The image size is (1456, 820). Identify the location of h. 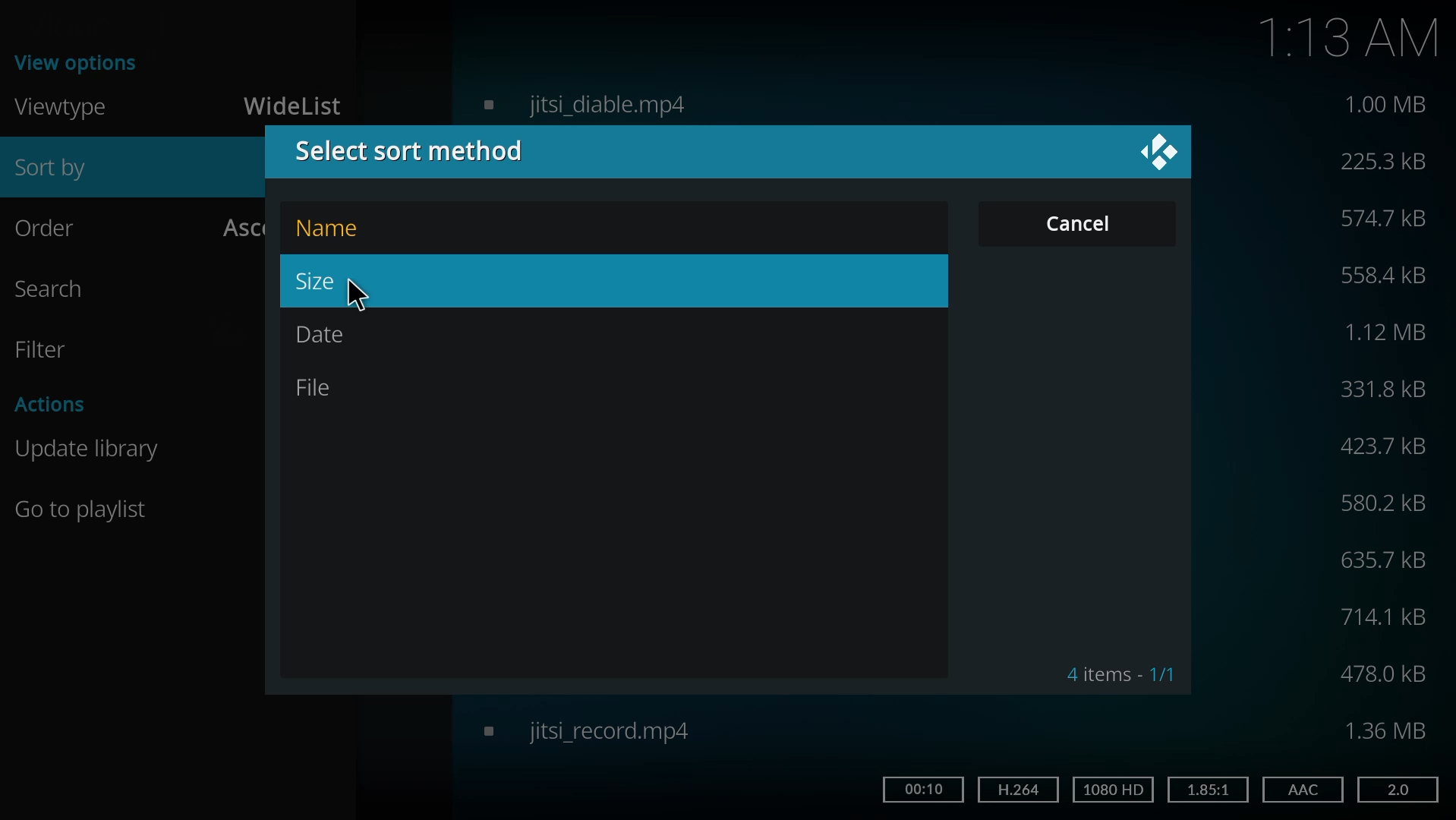
(1015, 790).